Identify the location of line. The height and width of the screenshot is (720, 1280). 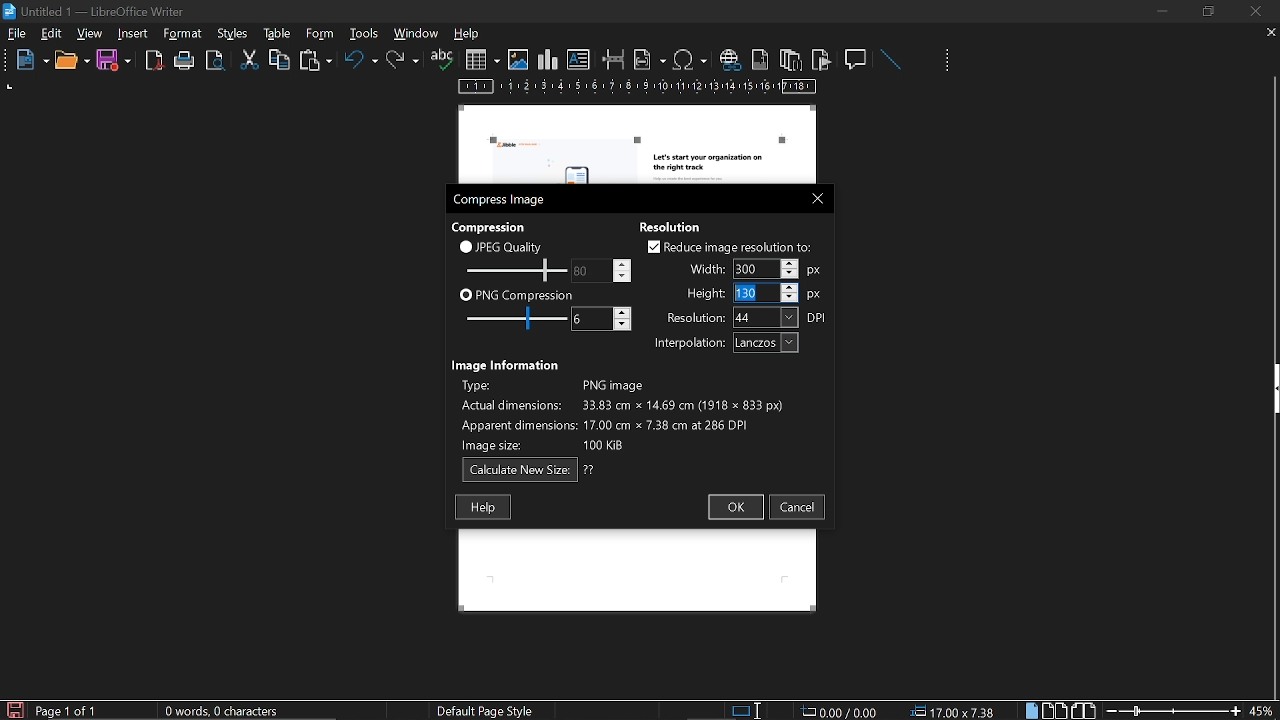
(890, 60).